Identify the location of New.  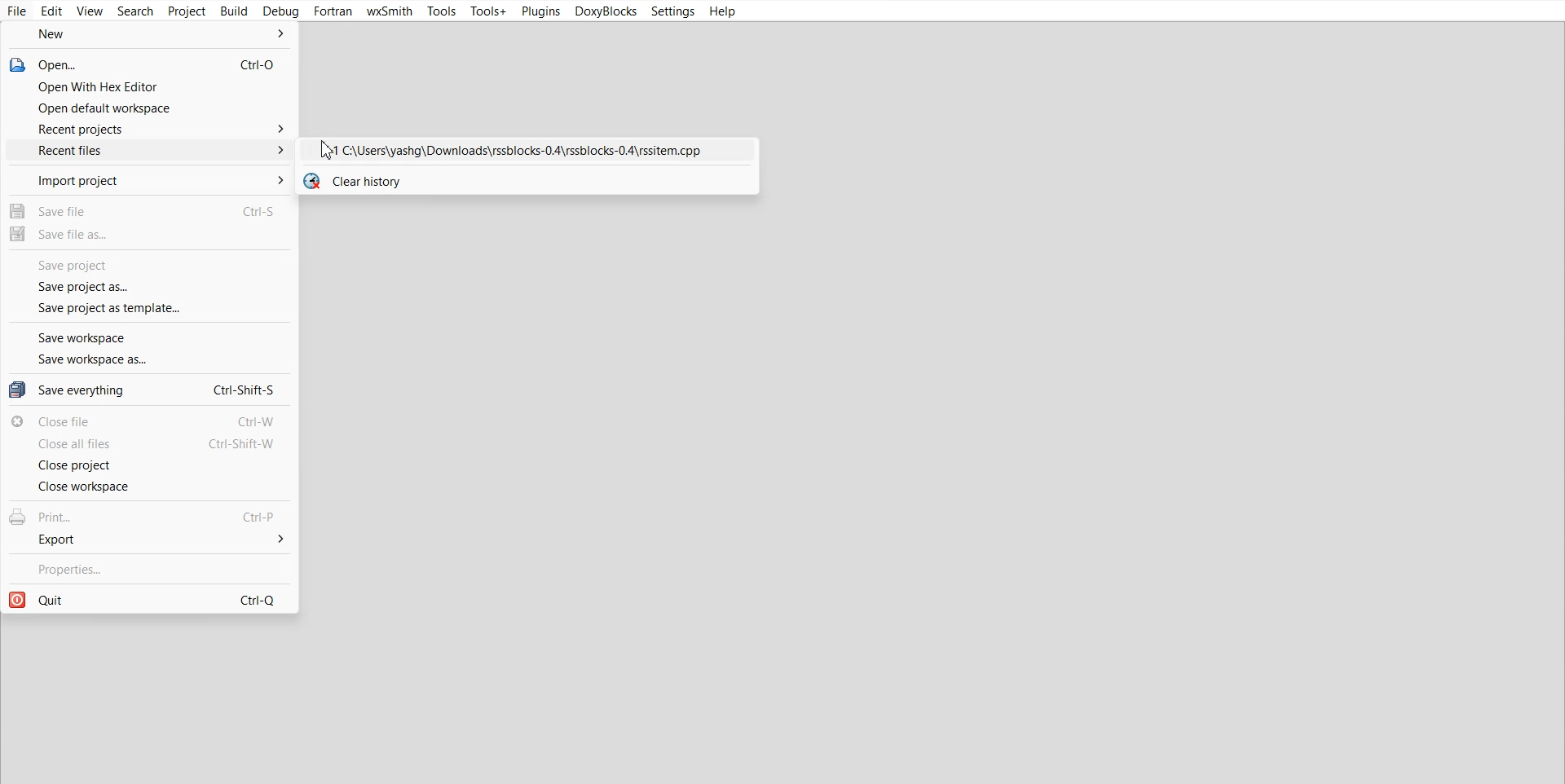
(149, 35).